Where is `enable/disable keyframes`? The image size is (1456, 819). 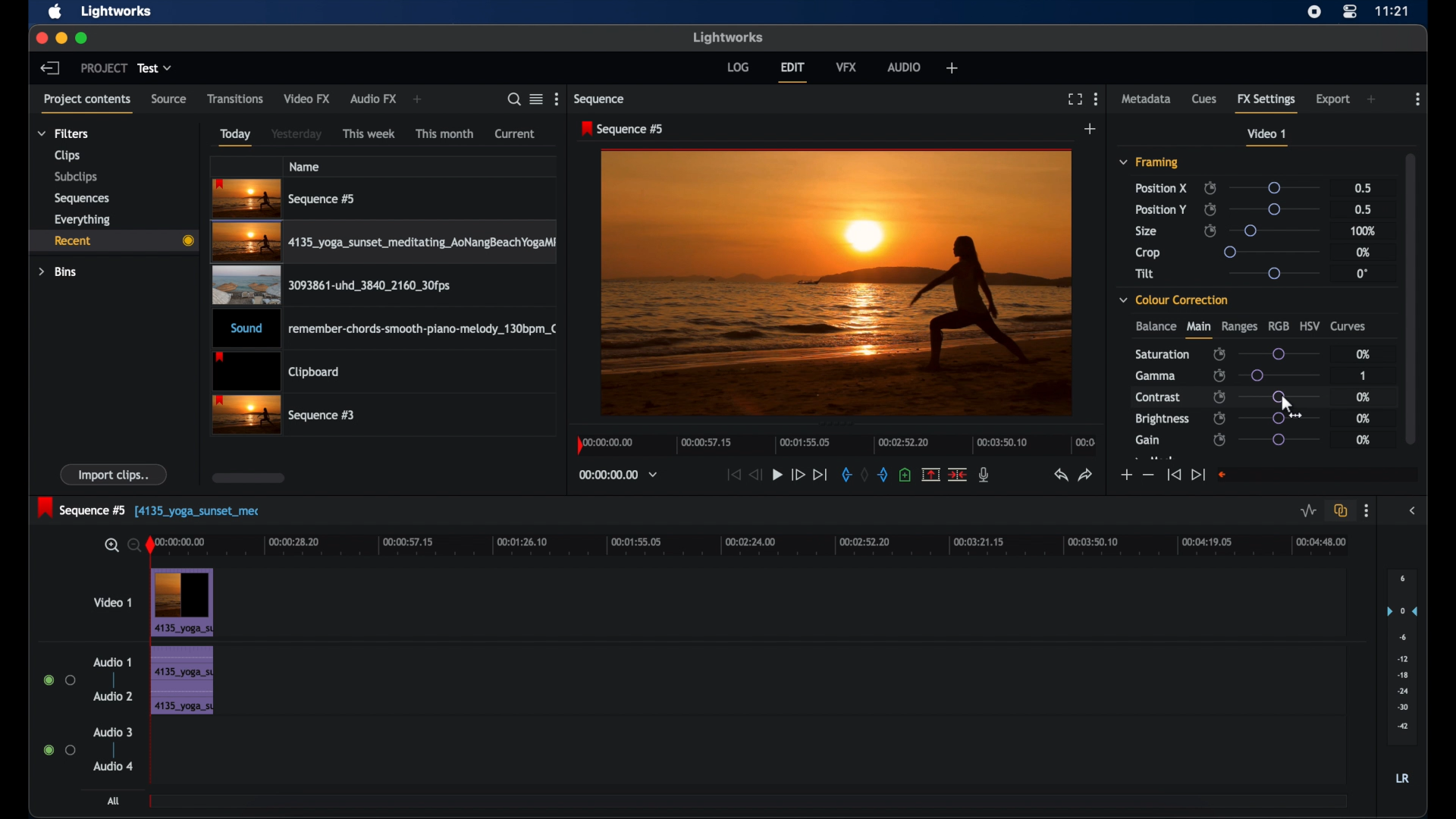
enable/disable keyframes is located at coordinates (1210, 230).